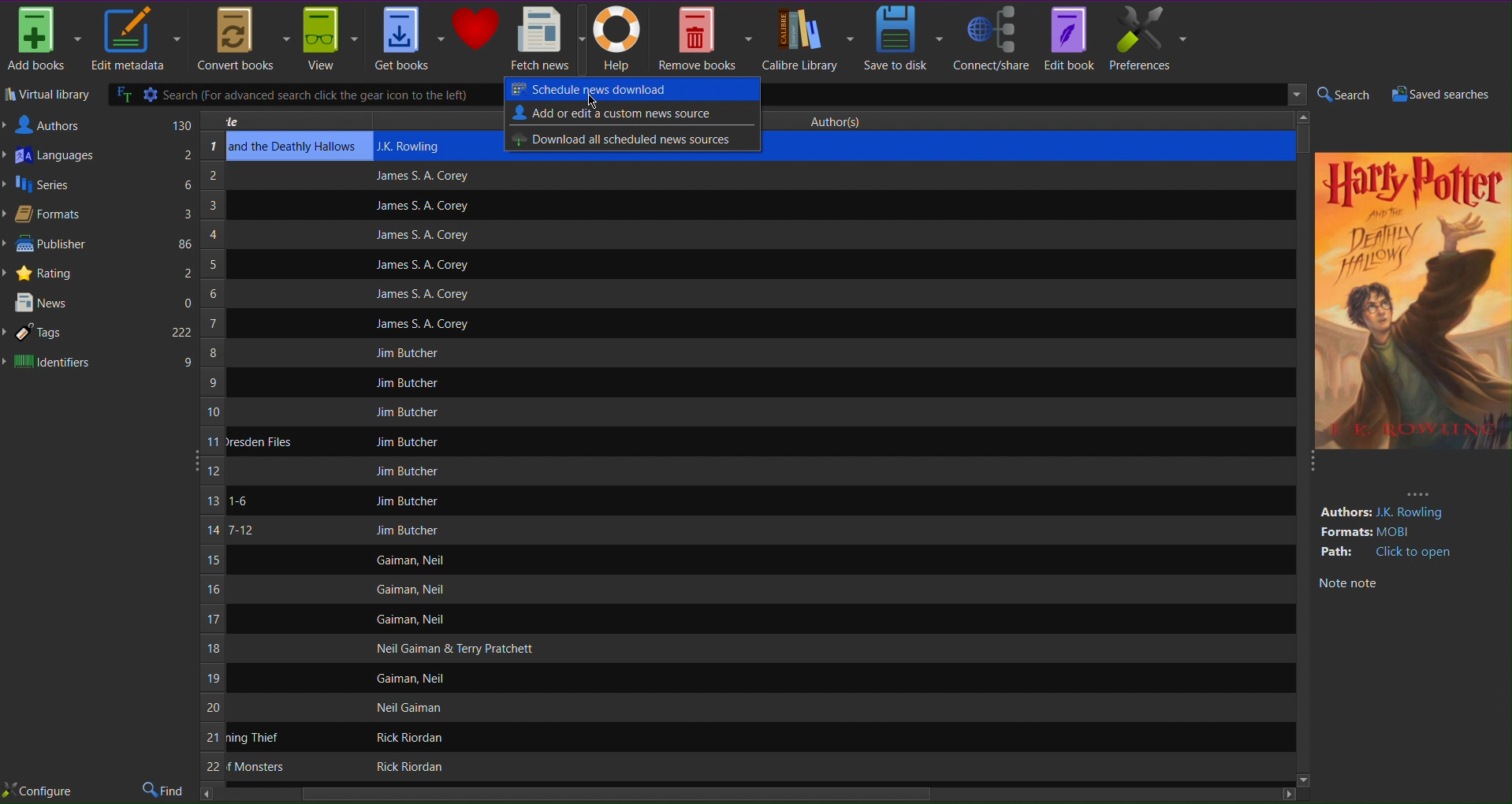 This screenshot has height=804, width=1512. Describe the element at coordinates (412, 293) in the screenshot. I see `James 5. A. Corey` at that location.